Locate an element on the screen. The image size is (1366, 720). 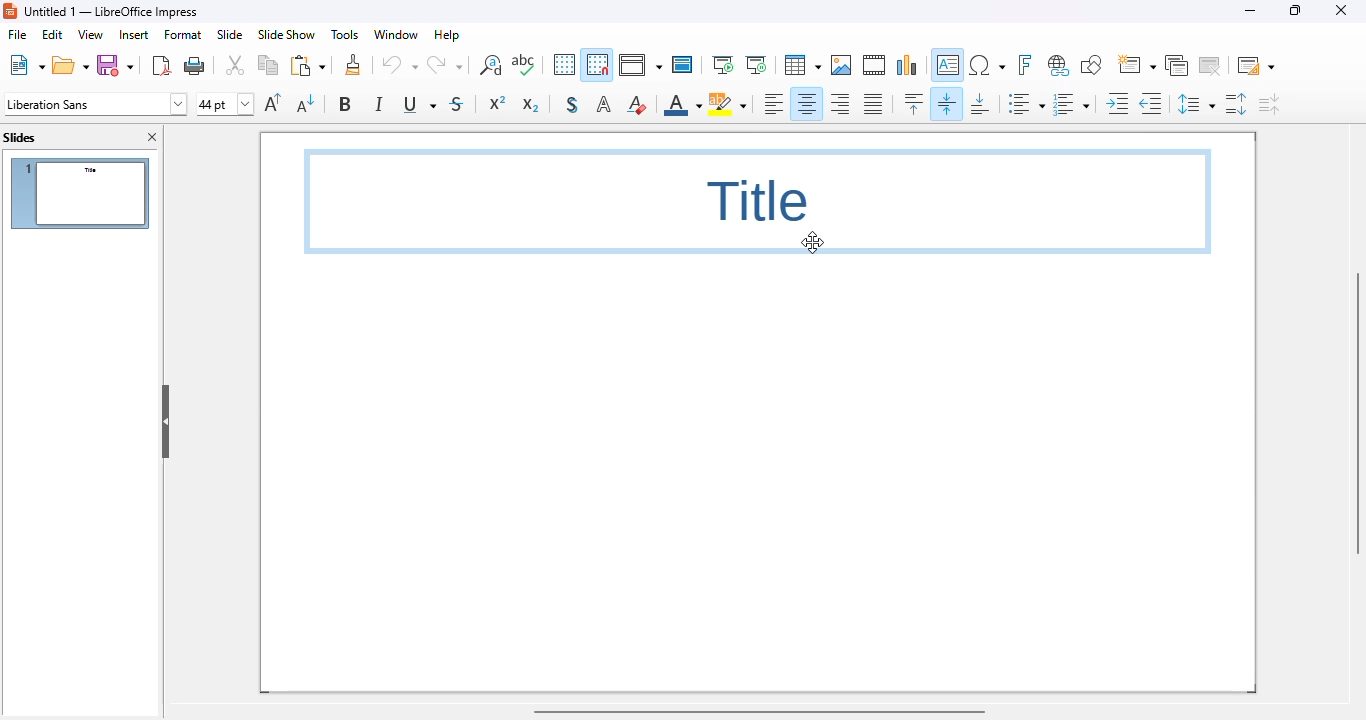
show draw functions is located at coordinates (1092, 65).